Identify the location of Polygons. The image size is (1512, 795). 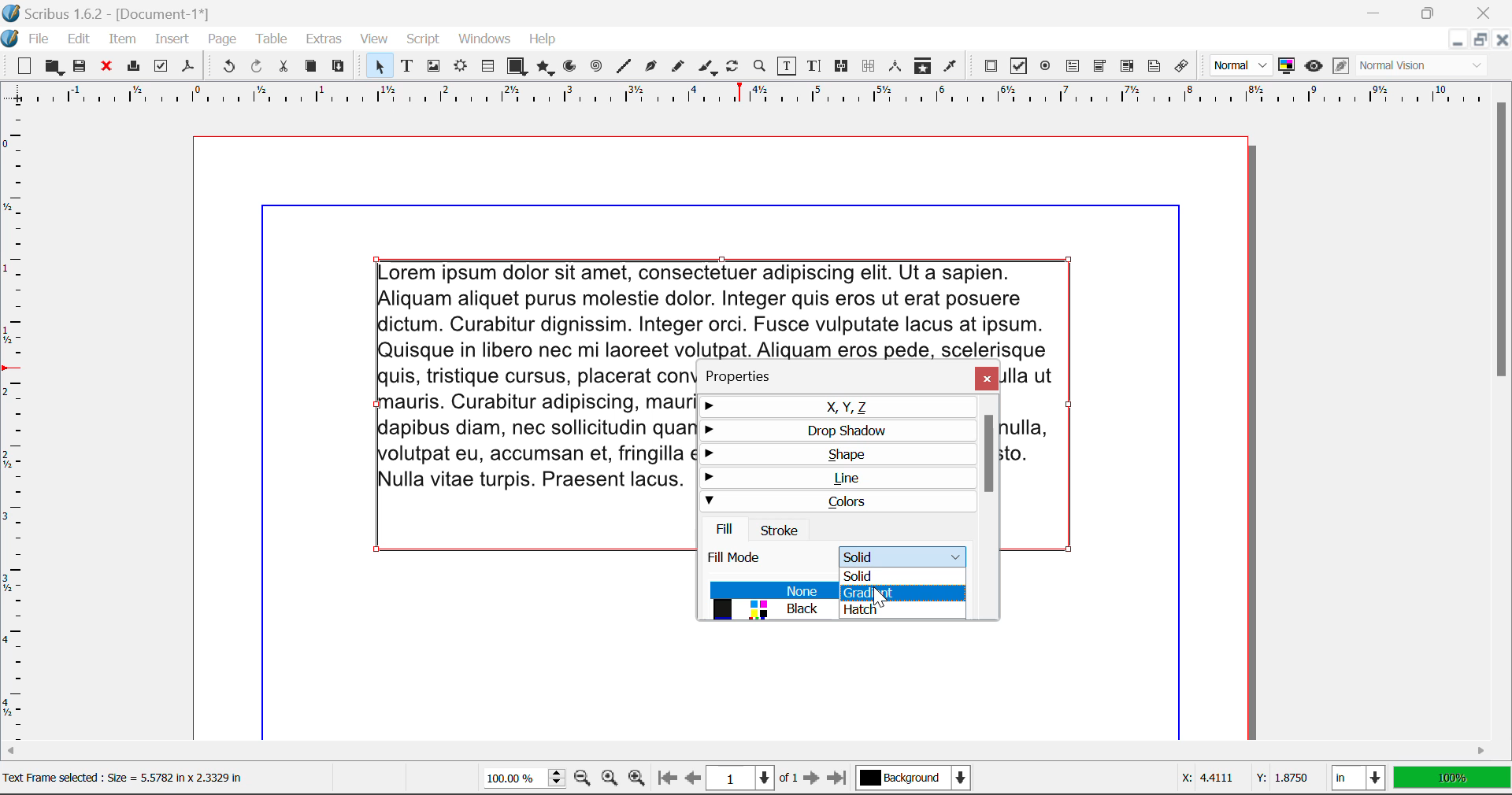
(545, 69).